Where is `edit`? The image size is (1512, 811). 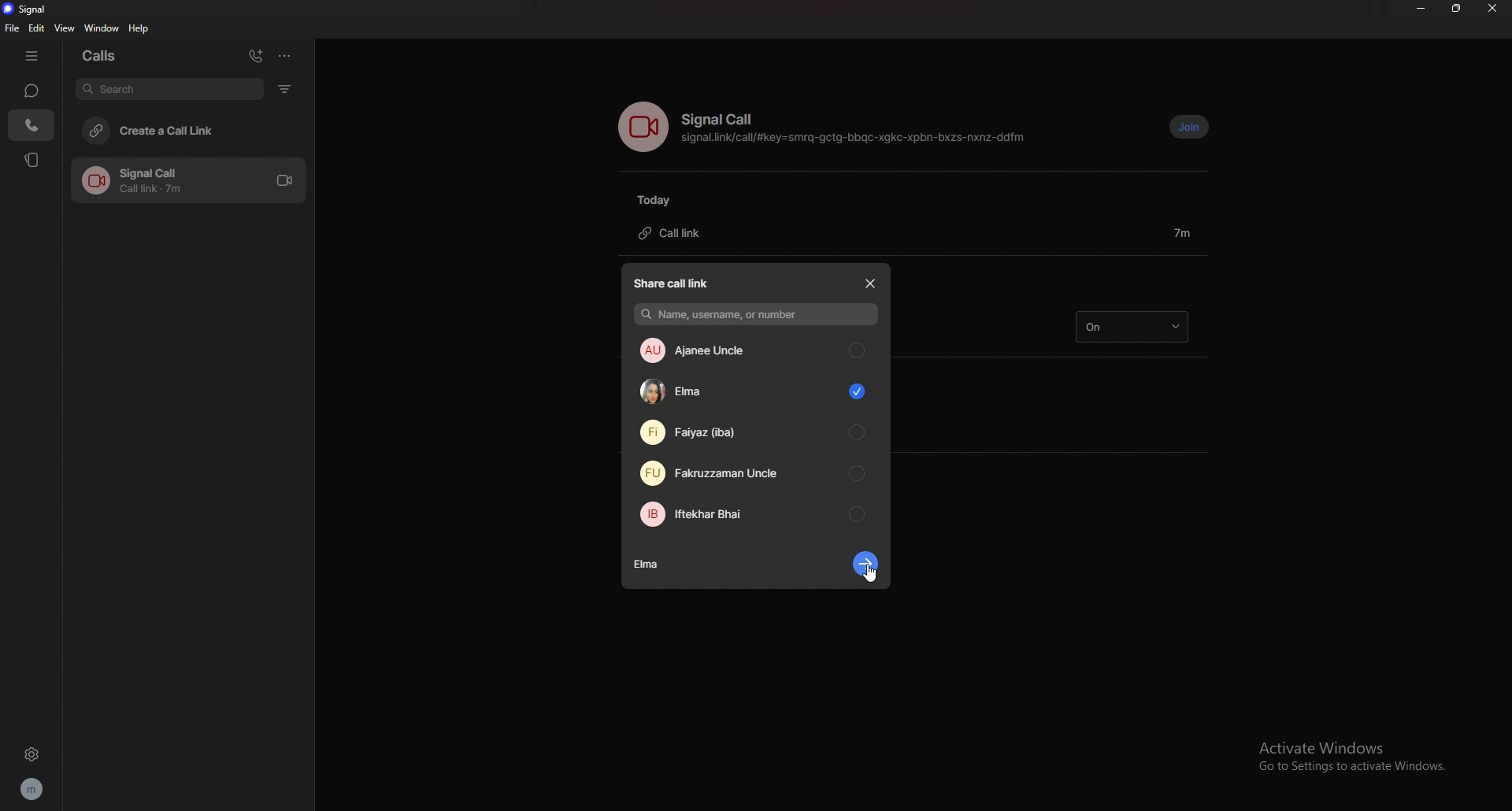
edit is located at coordinates (37, 28).